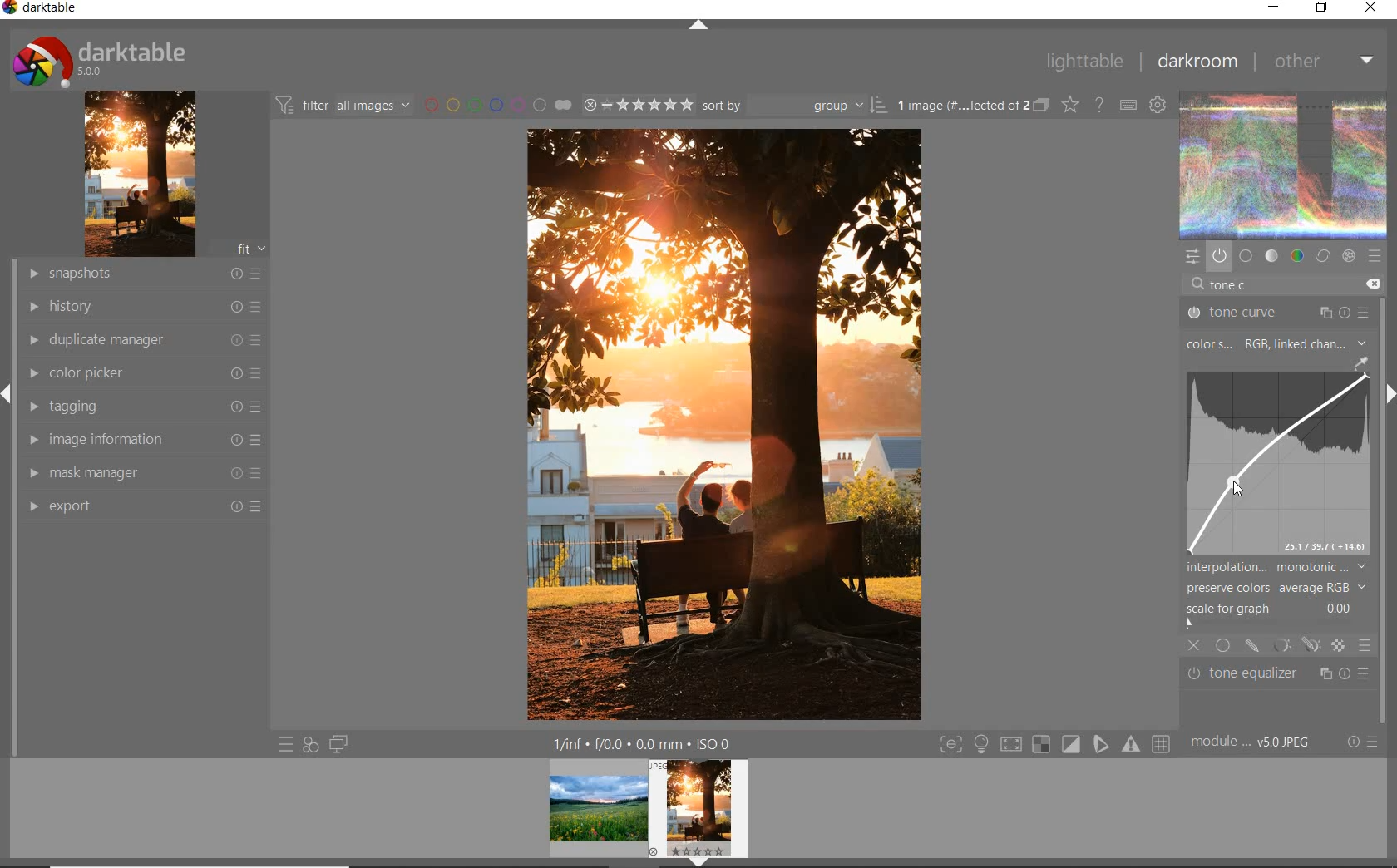 This screenshot has width=1397, height=868. Describe the element at coordinates (642, 808) in the screenshot. I see `Image preview` at that location.